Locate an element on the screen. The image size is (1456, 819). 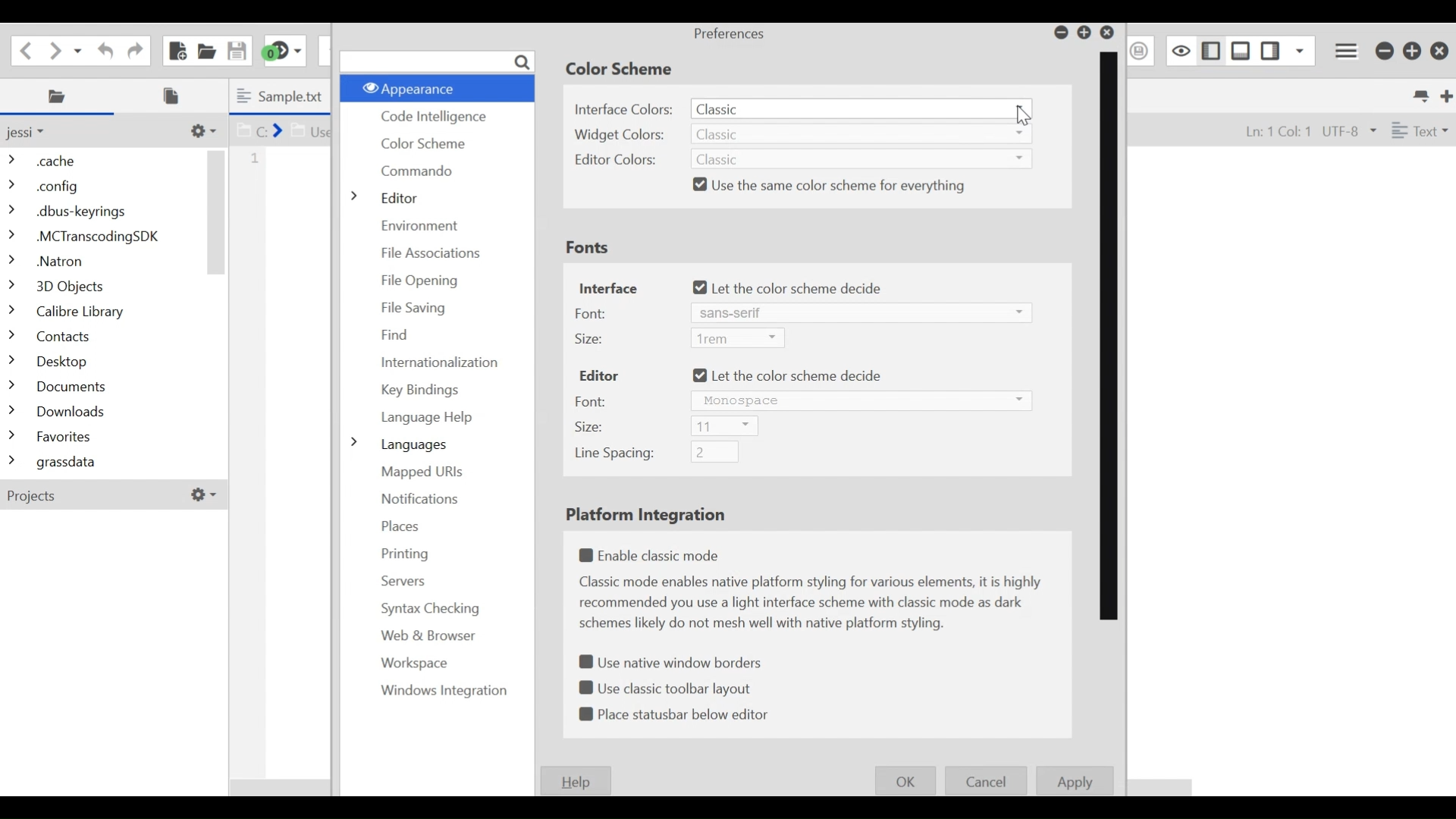
Size is located at coordinates (591, 428).